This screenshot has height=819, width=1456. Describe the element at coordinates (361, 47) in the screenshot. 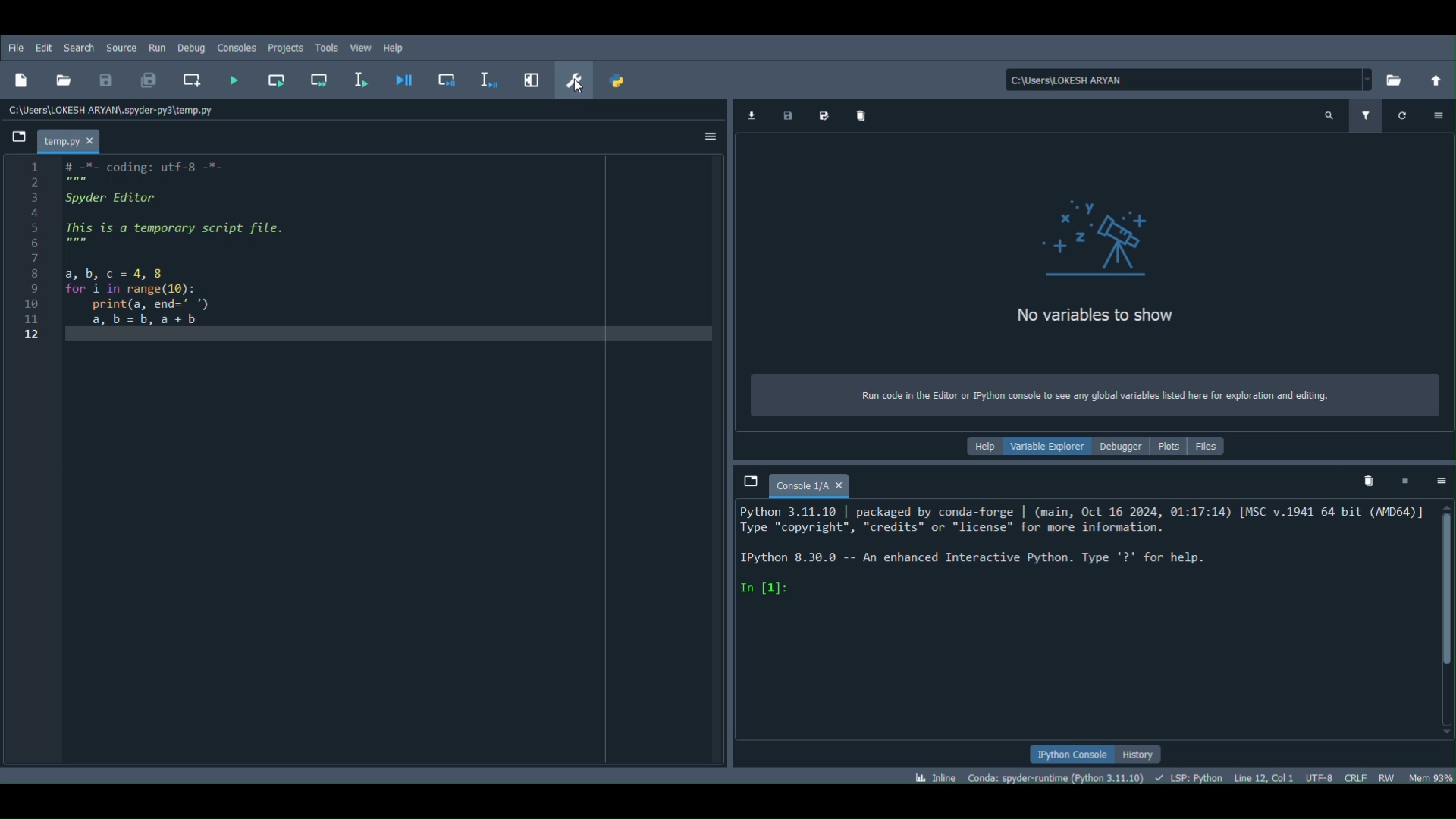

I see `View` at that location.